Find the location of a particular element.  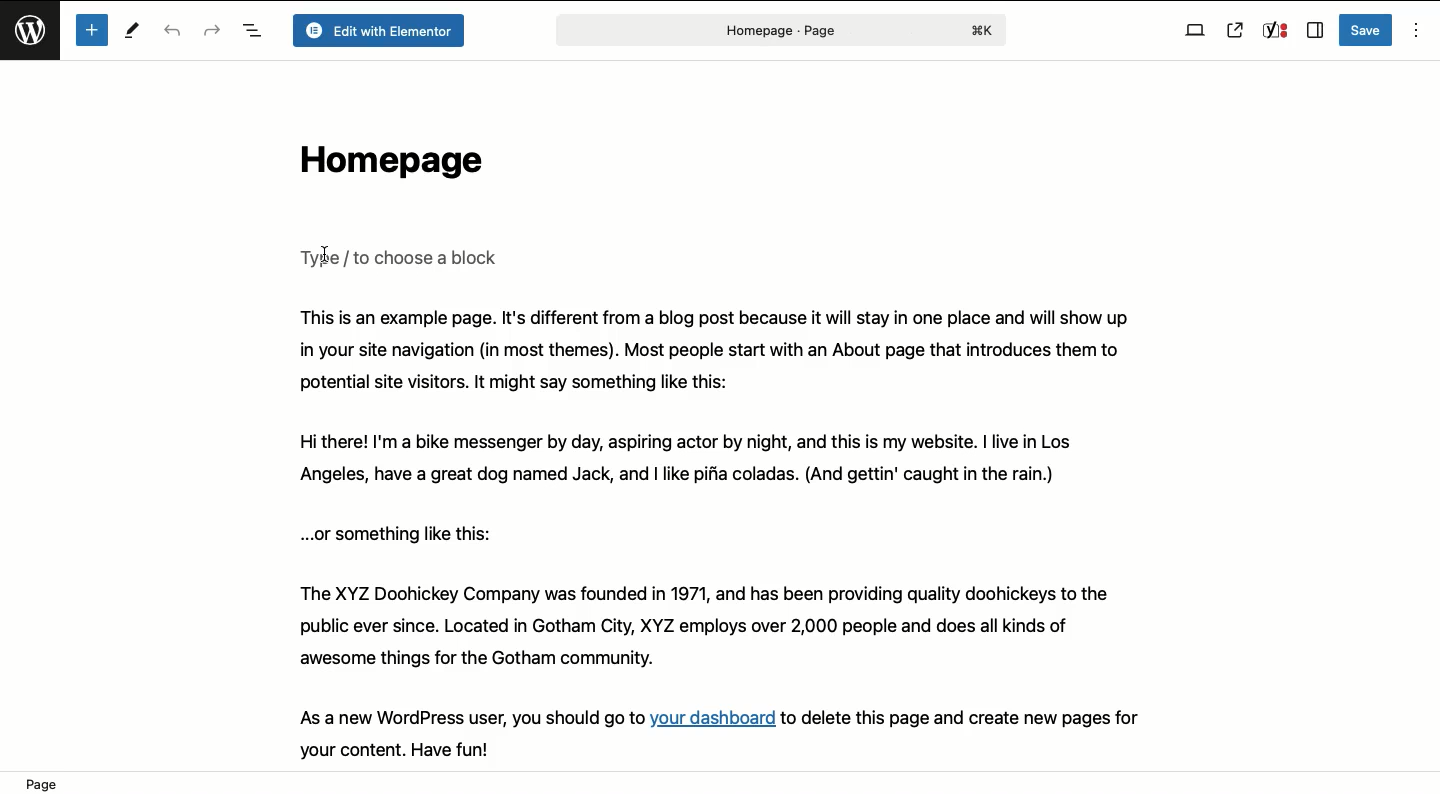

Tools is located at coordinates (134, 33).